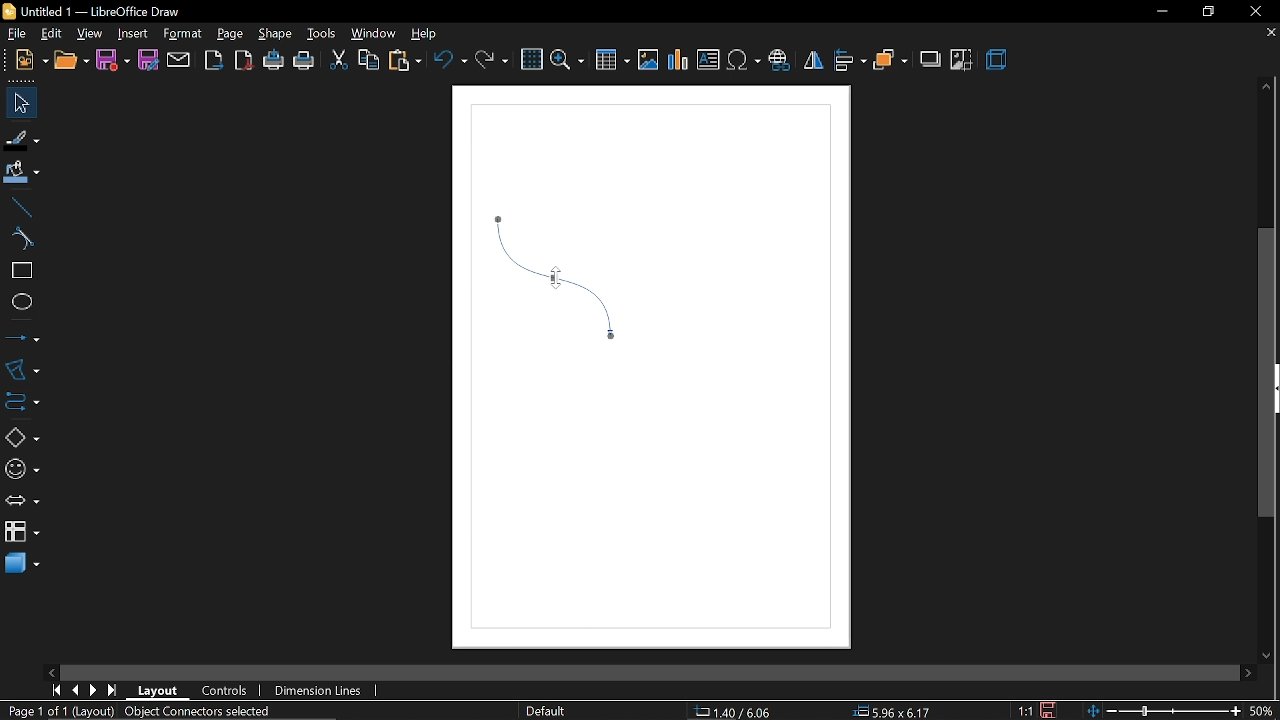 This screenshot has height=720, width=1280. I want to click on tools, so click(319, 33).